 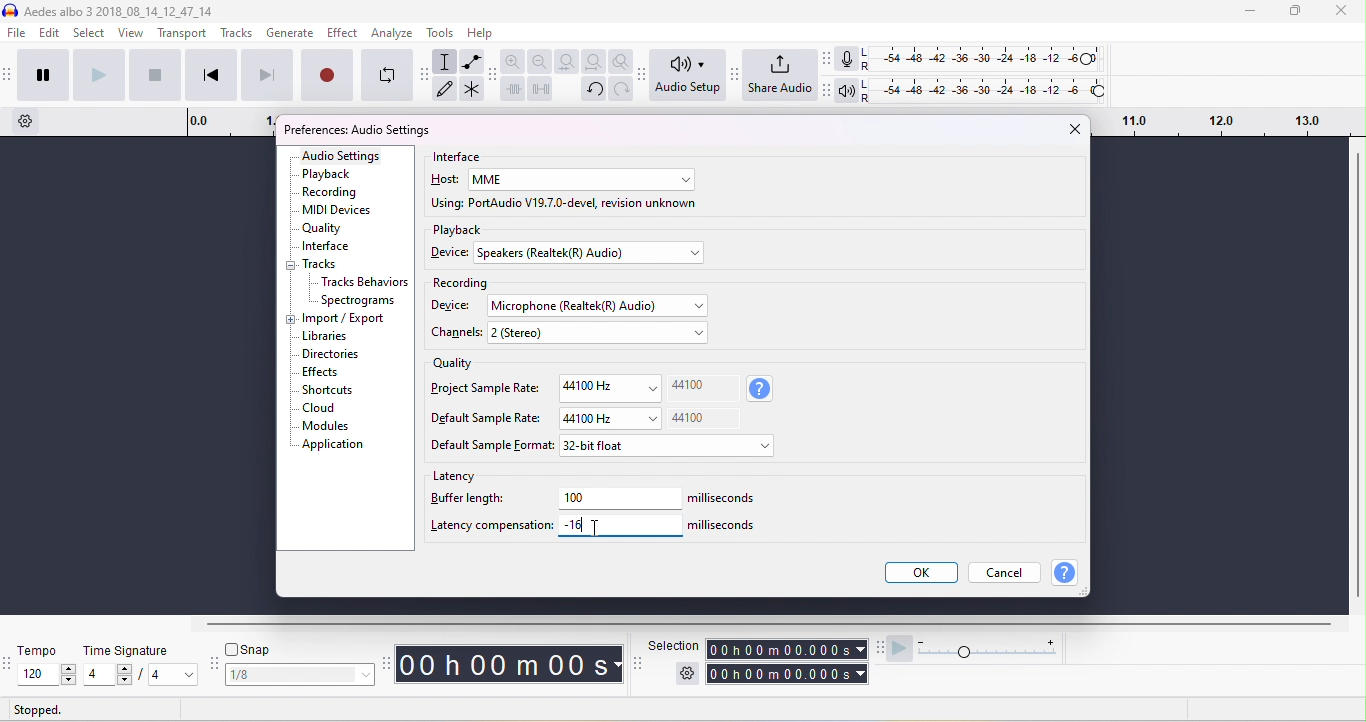 What do you see at coordinates (492, 446) in the screenshot?
I see `default sample format` at bounding box center [492, 446].